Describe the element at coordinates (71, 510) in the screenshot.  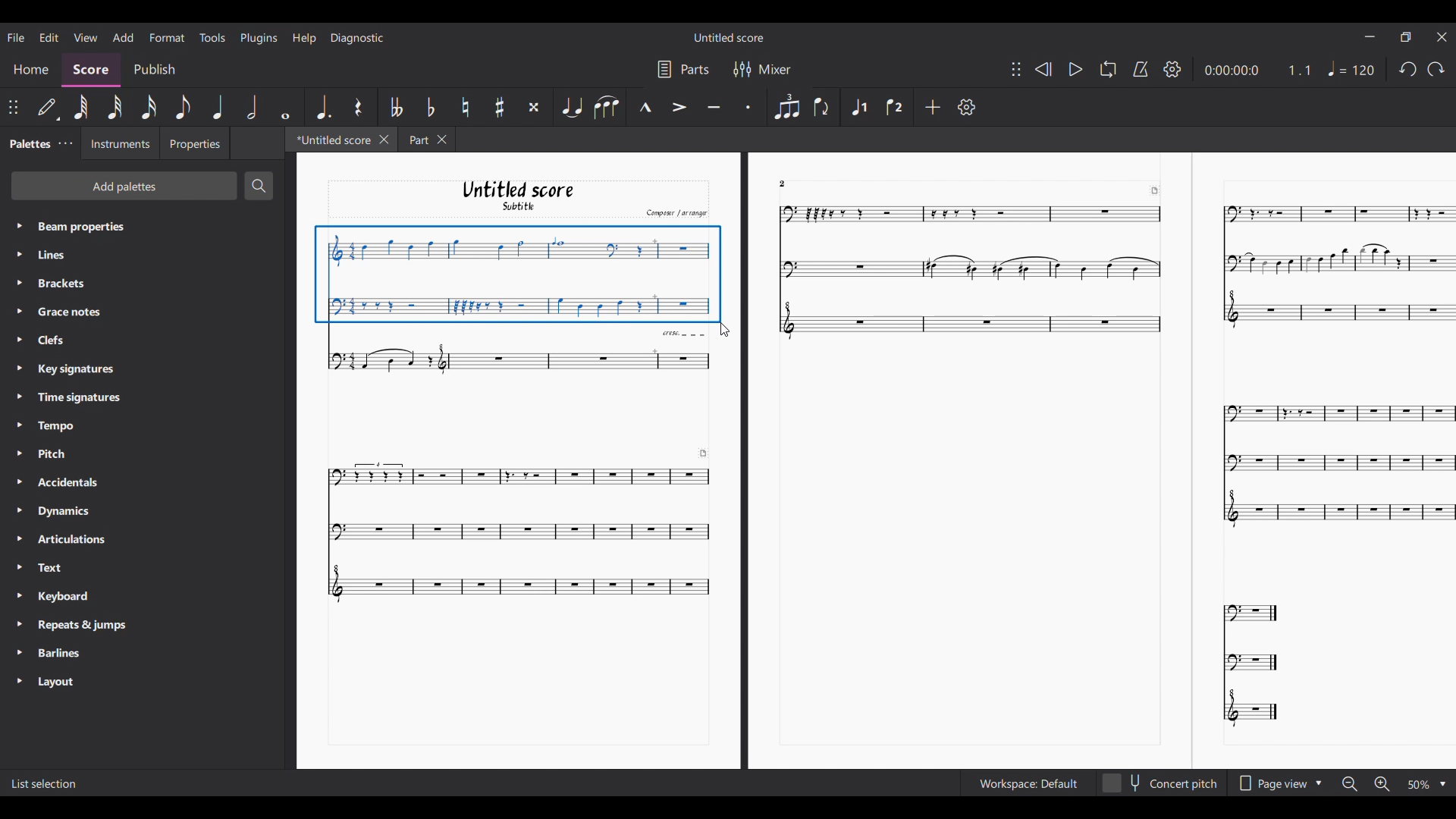
I see `Dynamics` at that location.